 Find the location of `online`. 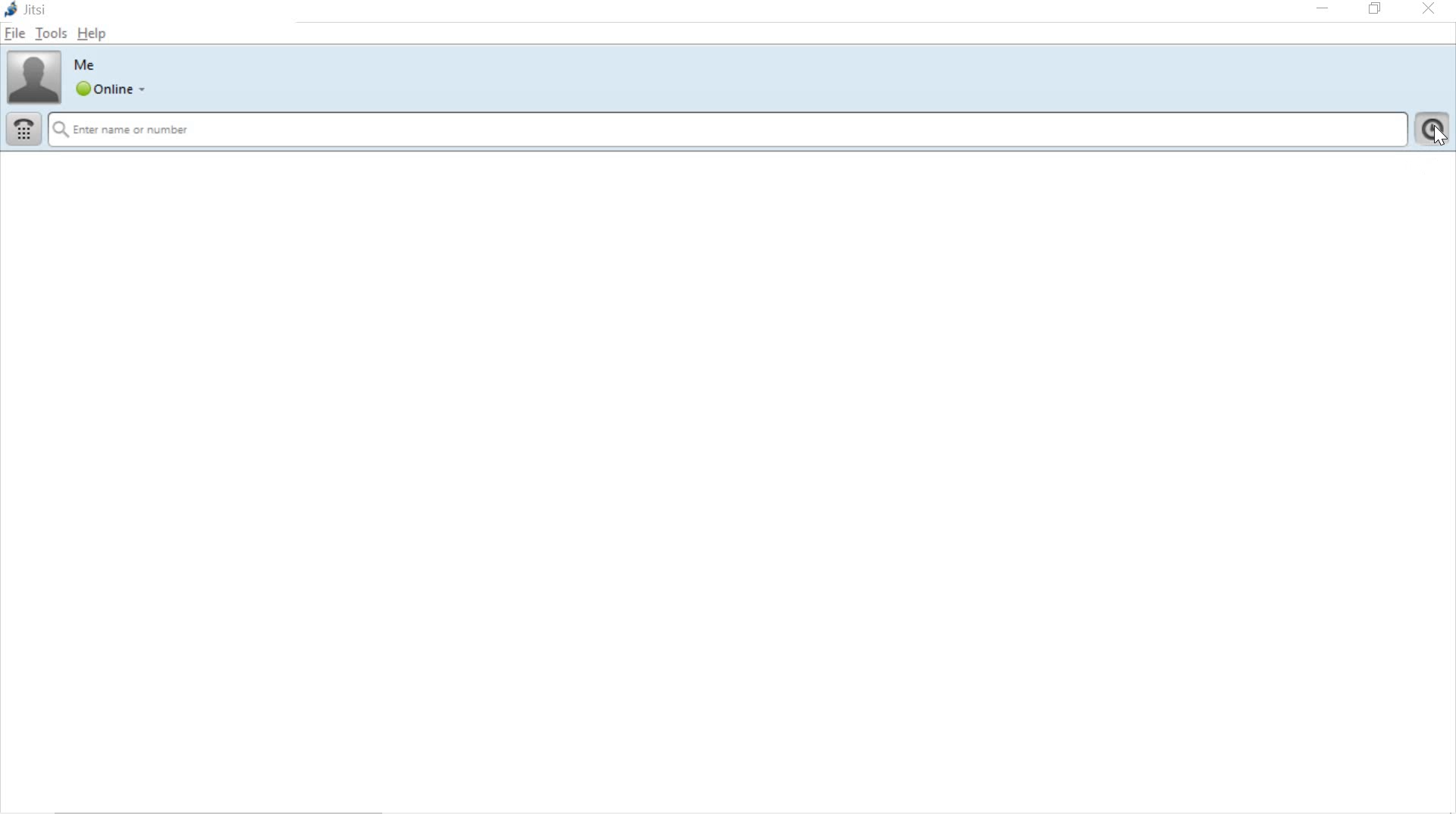

online is located at coordinates (108, 89).